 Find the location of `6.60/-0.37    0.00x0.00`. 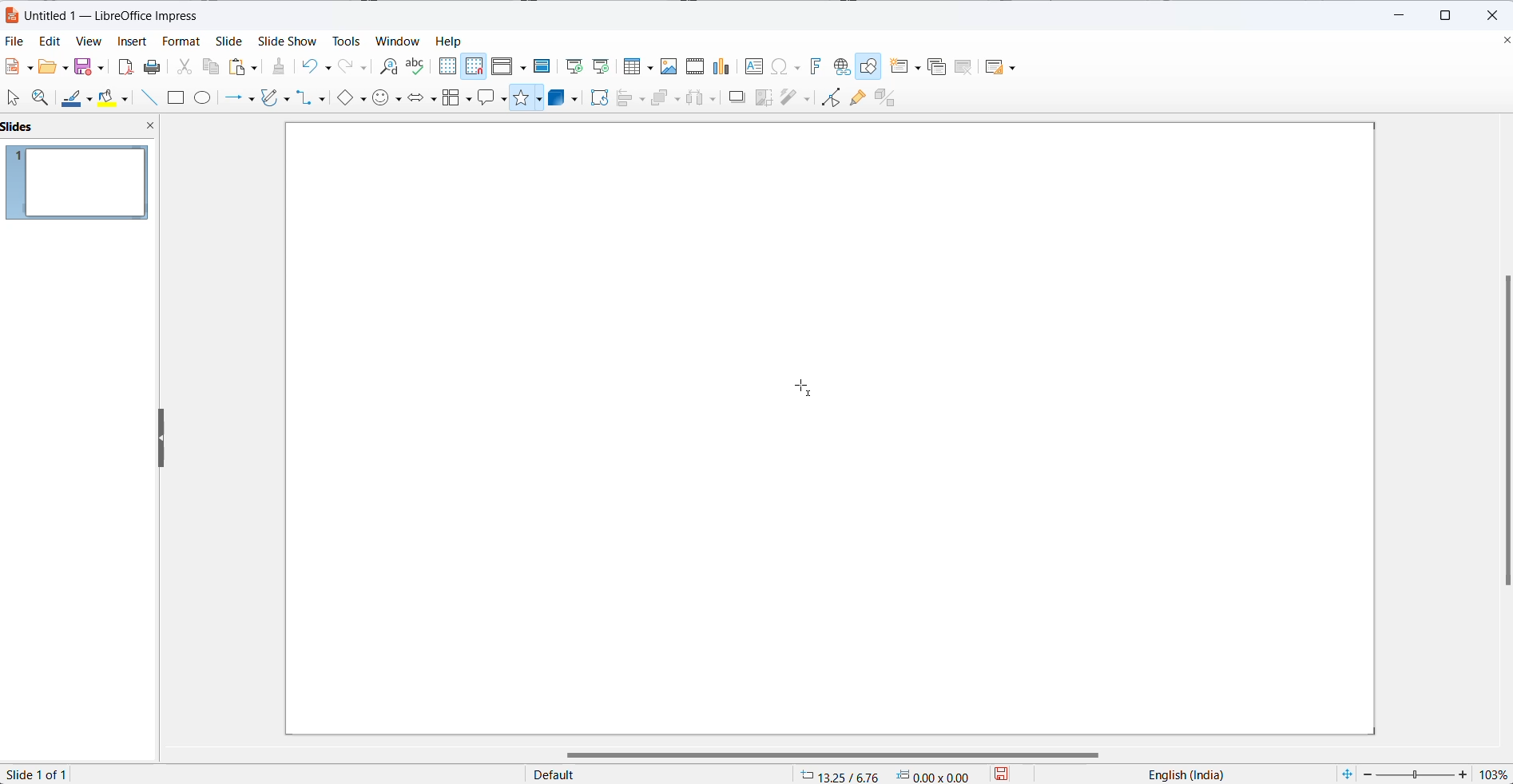

6.60/-0.37    0.00x0.00 is located at coordinates (887, 776).